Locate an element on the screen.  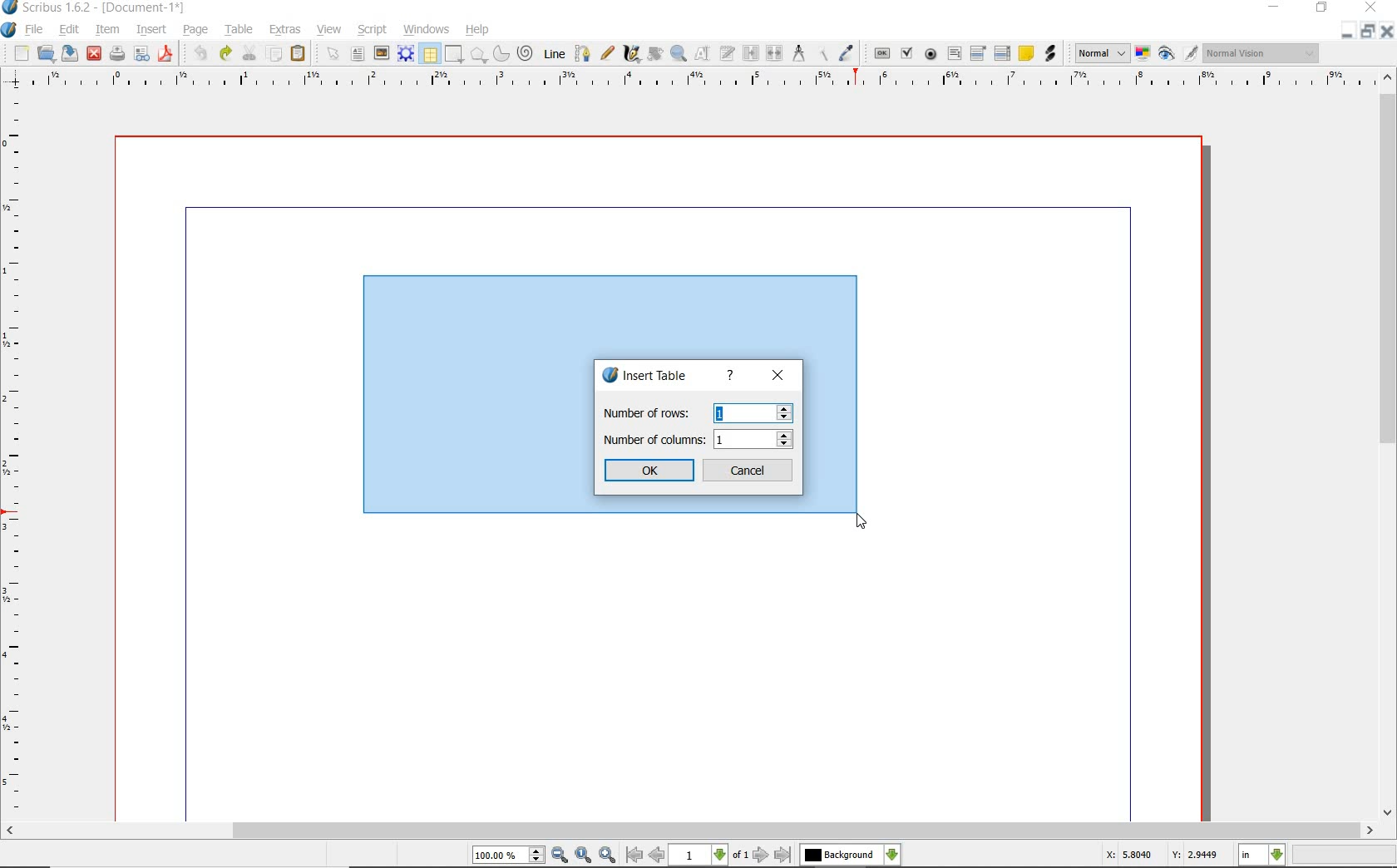
rotate item is located at coordinates (654, 55).